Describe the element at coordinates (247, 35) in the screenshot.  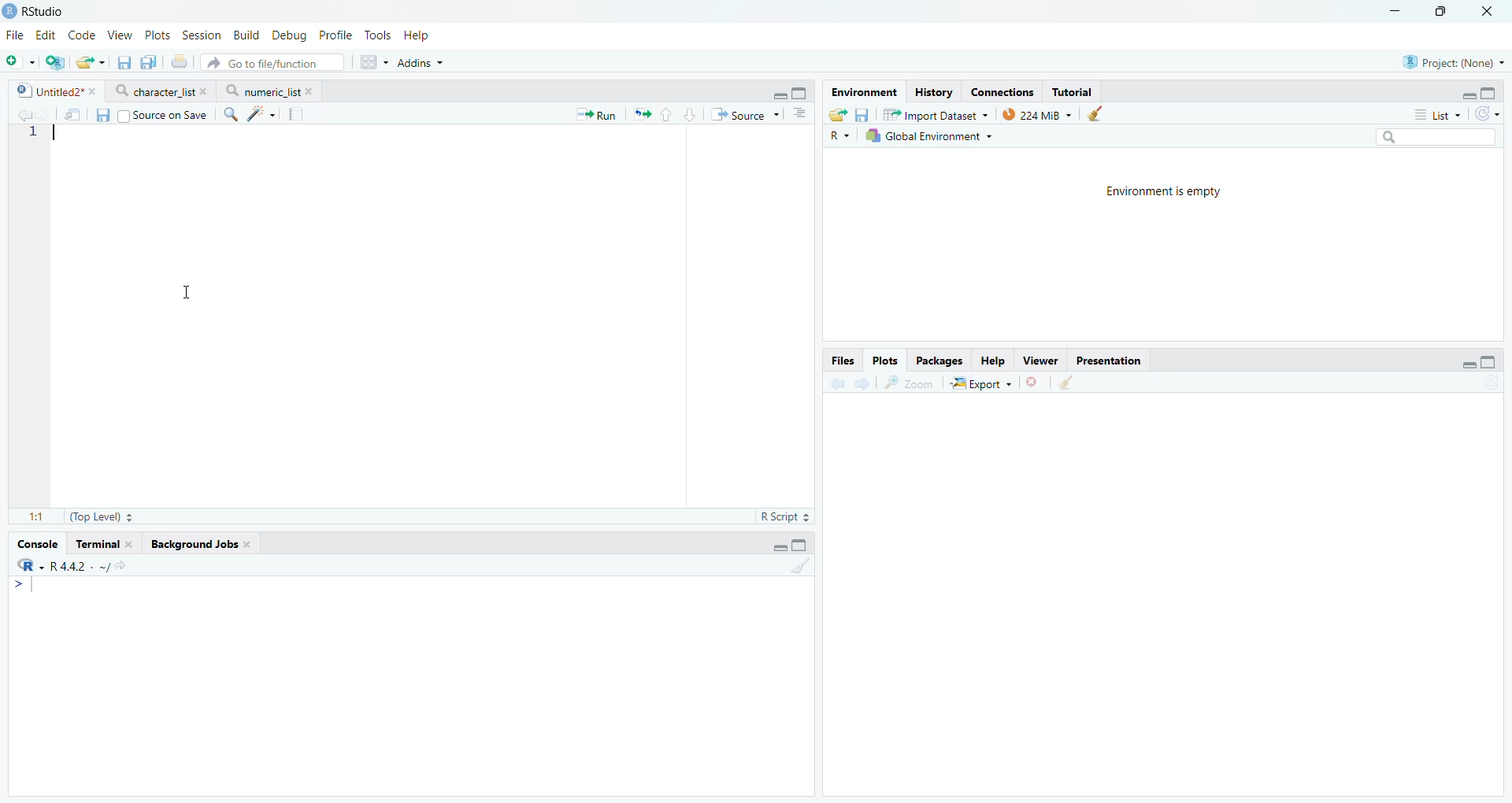
I see `Build` at that location.